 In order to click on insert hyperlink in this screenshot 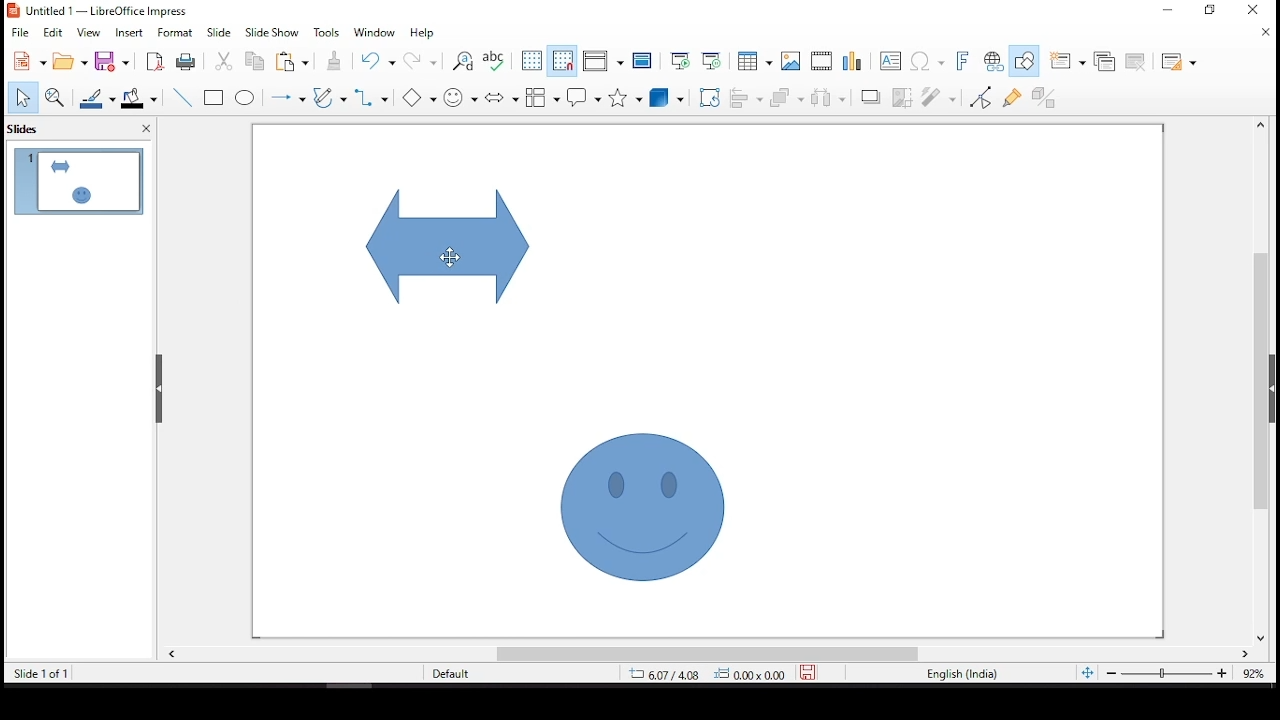, I will do `click(994, 63)`.